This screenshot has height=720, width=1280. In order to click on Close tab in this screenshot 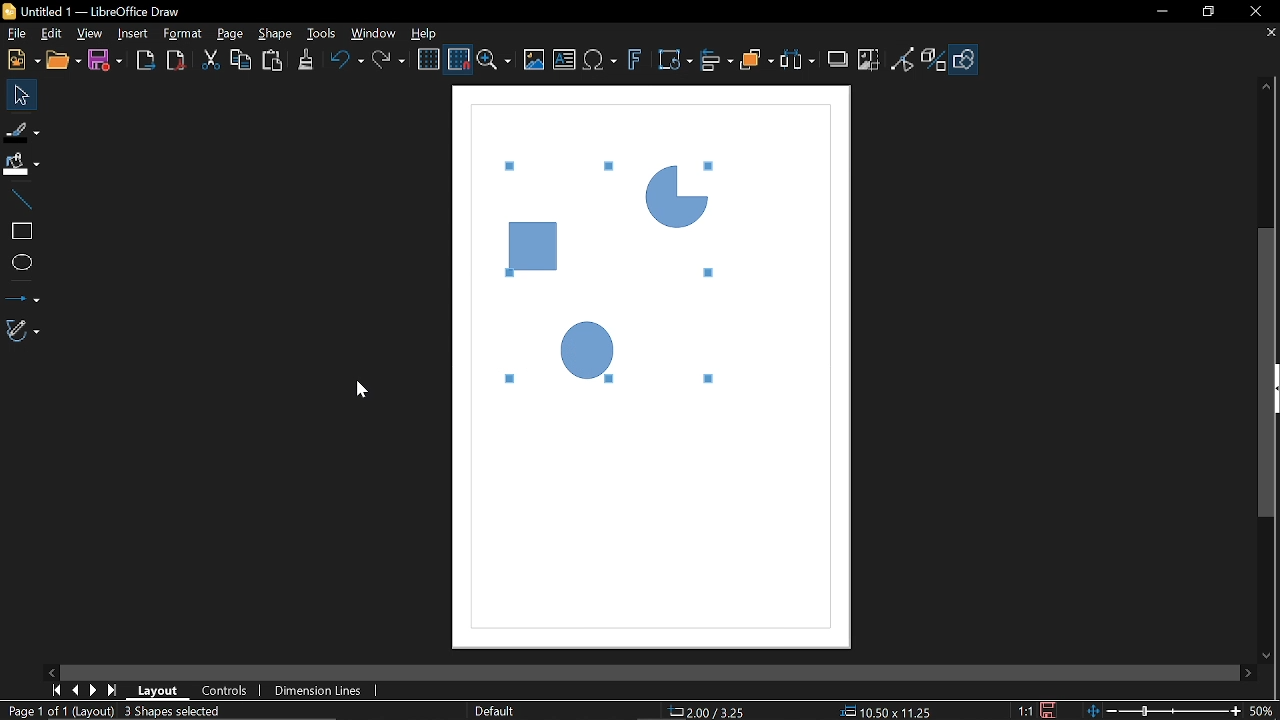, I will do `click(1270, 33)`.